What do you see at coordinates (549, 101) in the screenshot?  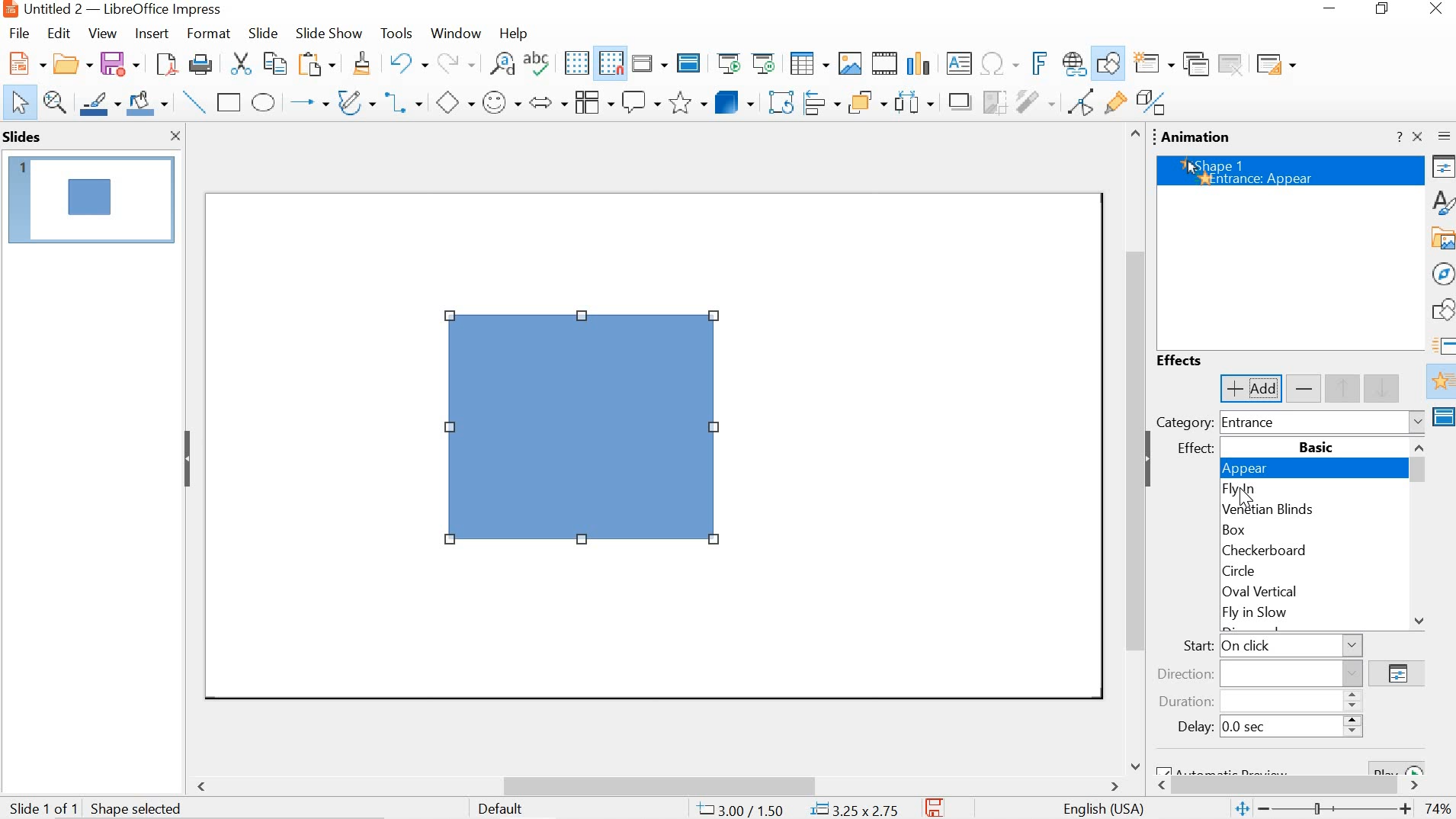 I see `block arrows` at bounding box center [549, 101].